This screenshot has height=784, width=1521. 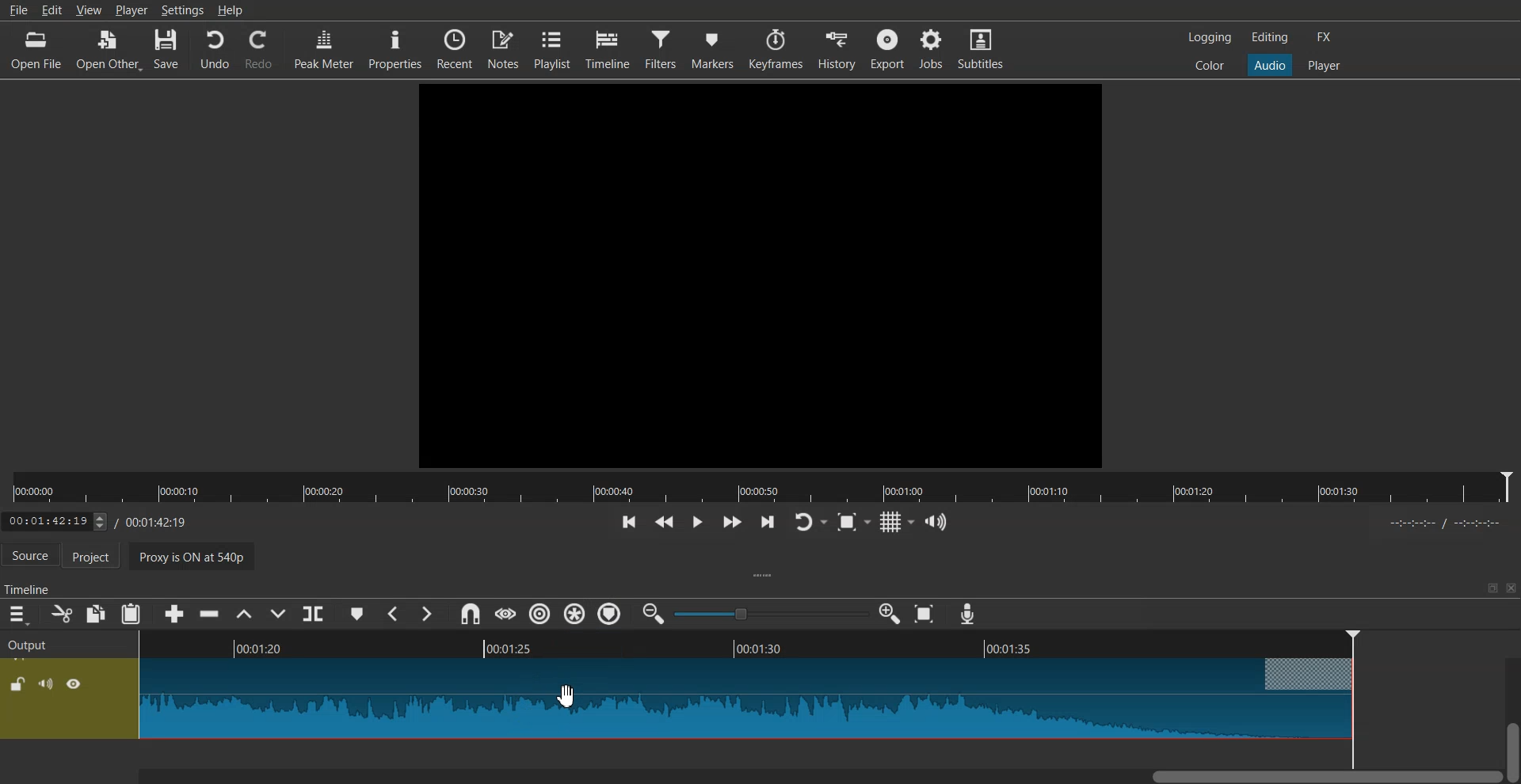 What do you see at coordinates (1514, 587) in the screenshot?
I see `close` at bounding box center [1514, 587].